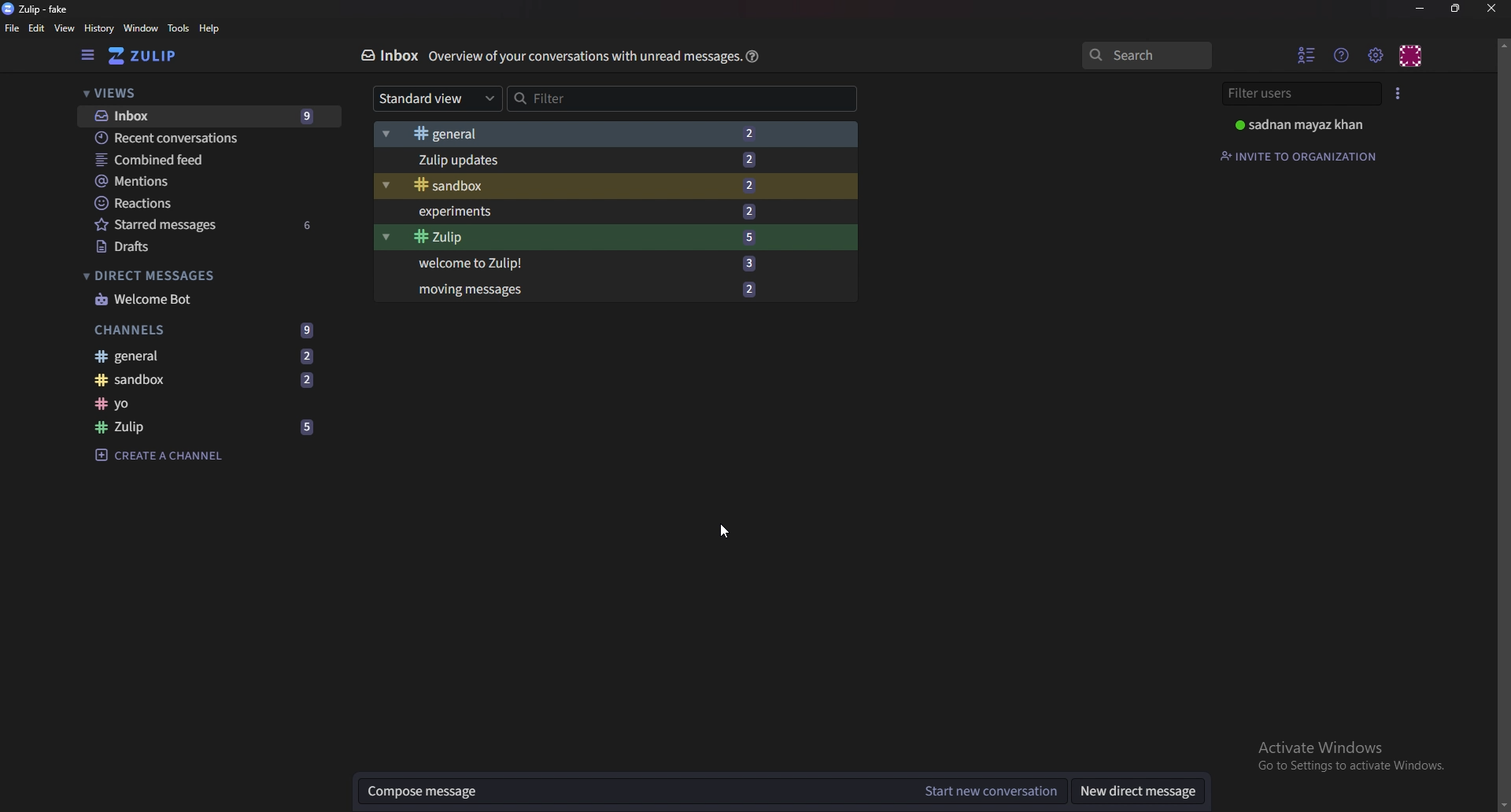 The width and height of the screenshot is (1511, 812). What do you see at coordinates (139, 93) in the screenshot?
I see `Views` at bounding box center [139, 93].